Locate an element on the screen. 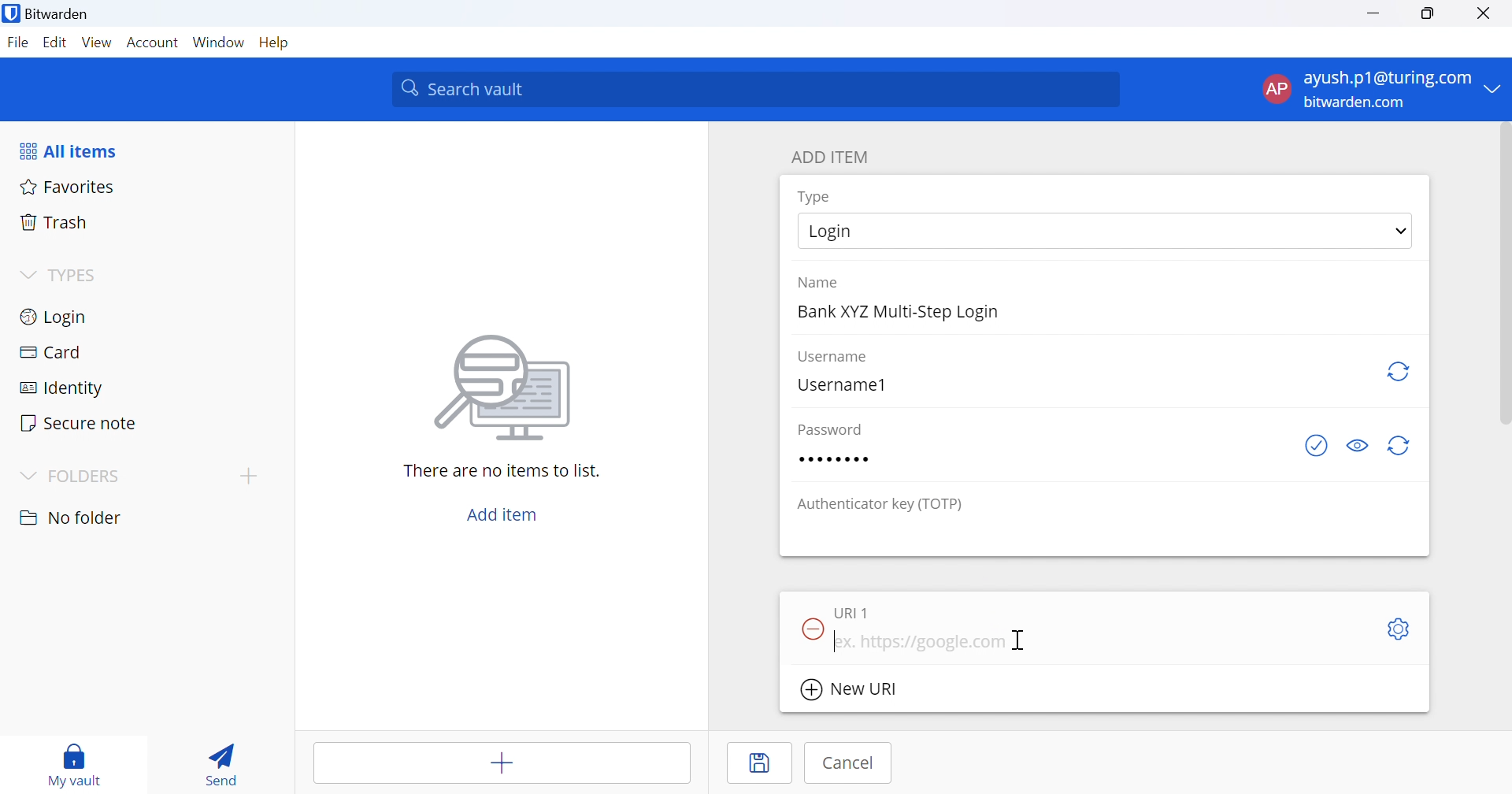 The height and width of the screenshot is (794, 1512). Restore Down is located at coordinates (1429, 14).